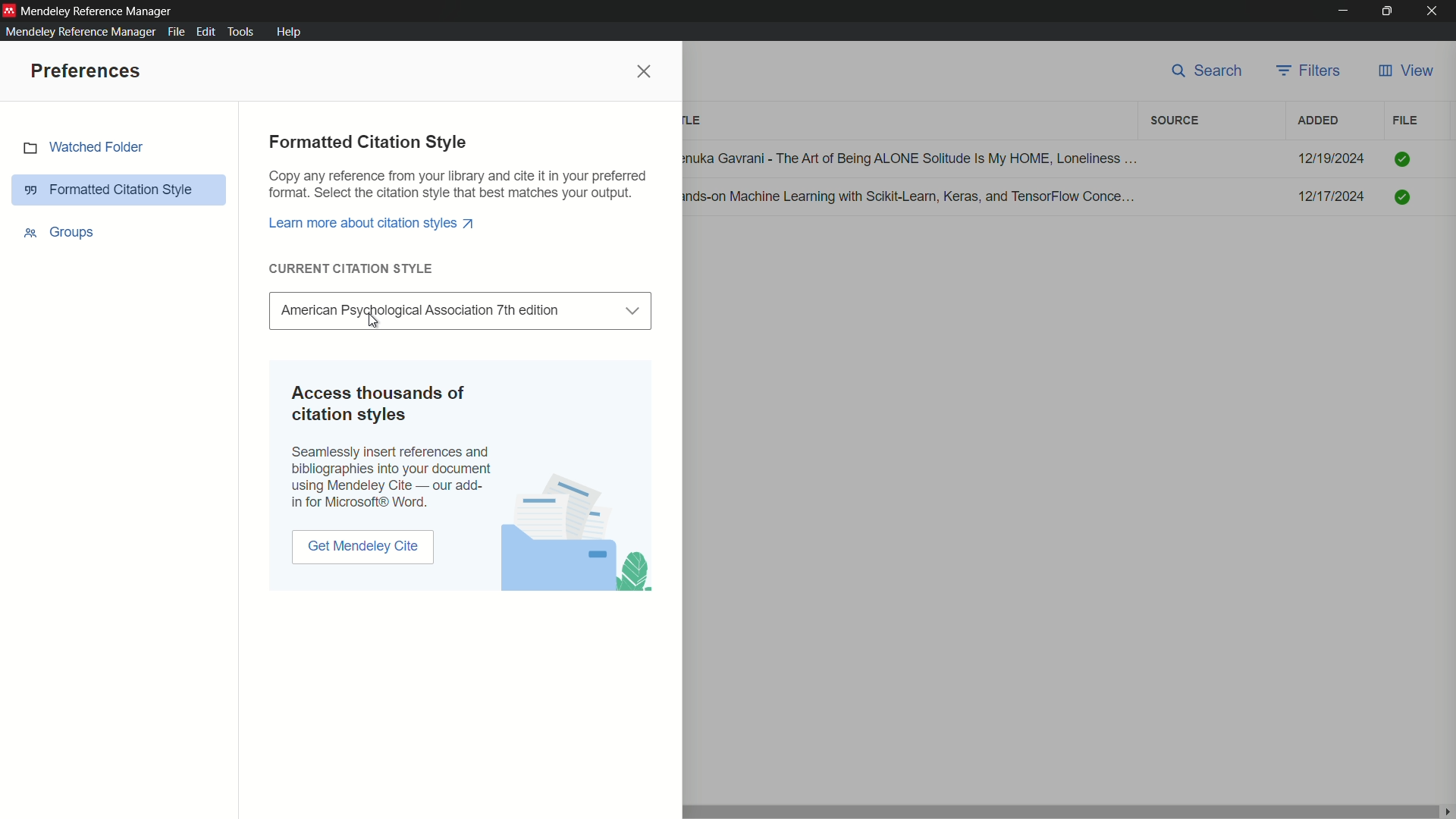 The height and width of the screenshot is (819, 1456). What do you see at coordinates (1207, 74) in the screenshot?
I see `search` at bounding box center [1207, 74].